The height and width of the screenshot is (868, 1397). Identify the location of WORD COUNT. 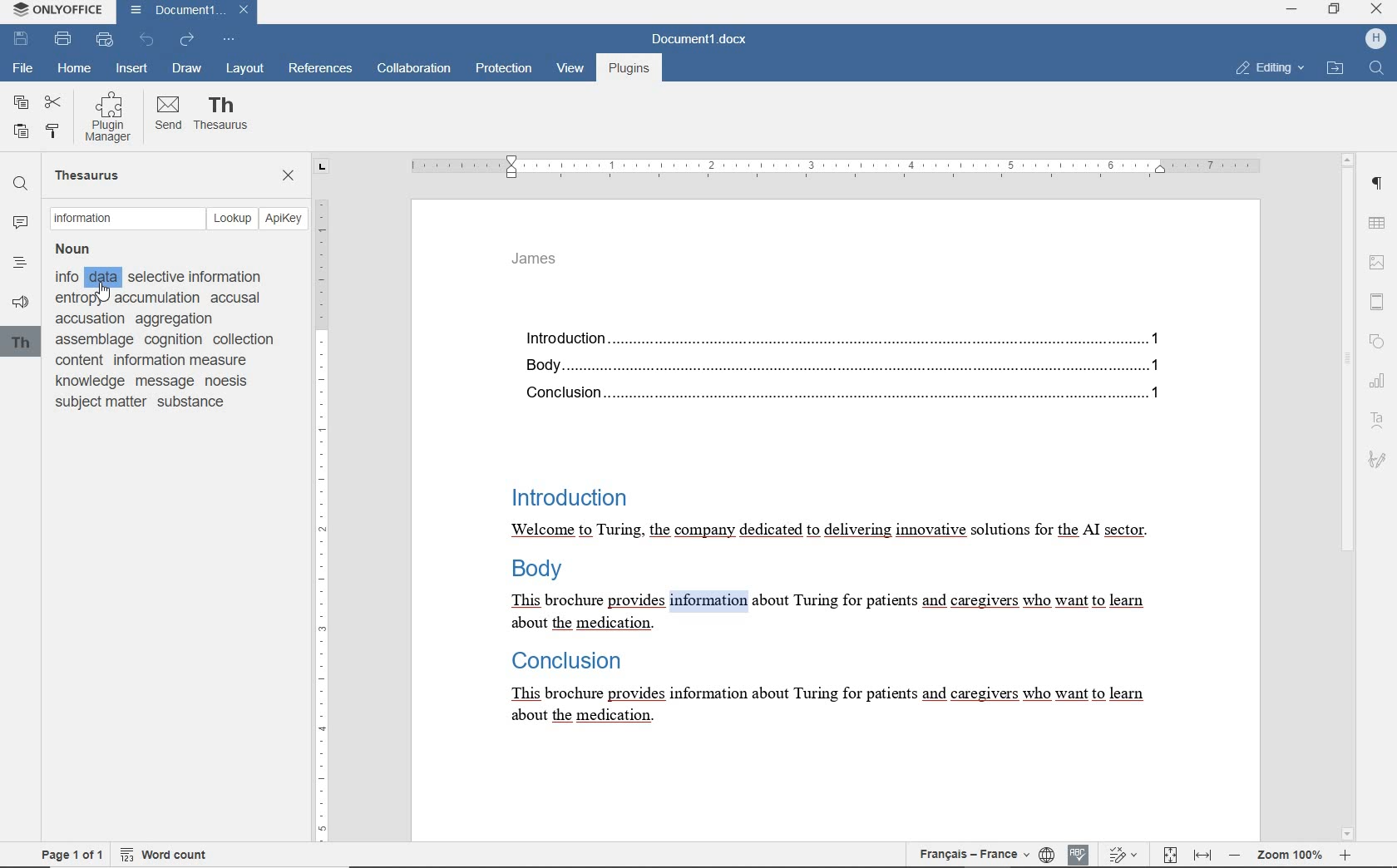
(165, 855).